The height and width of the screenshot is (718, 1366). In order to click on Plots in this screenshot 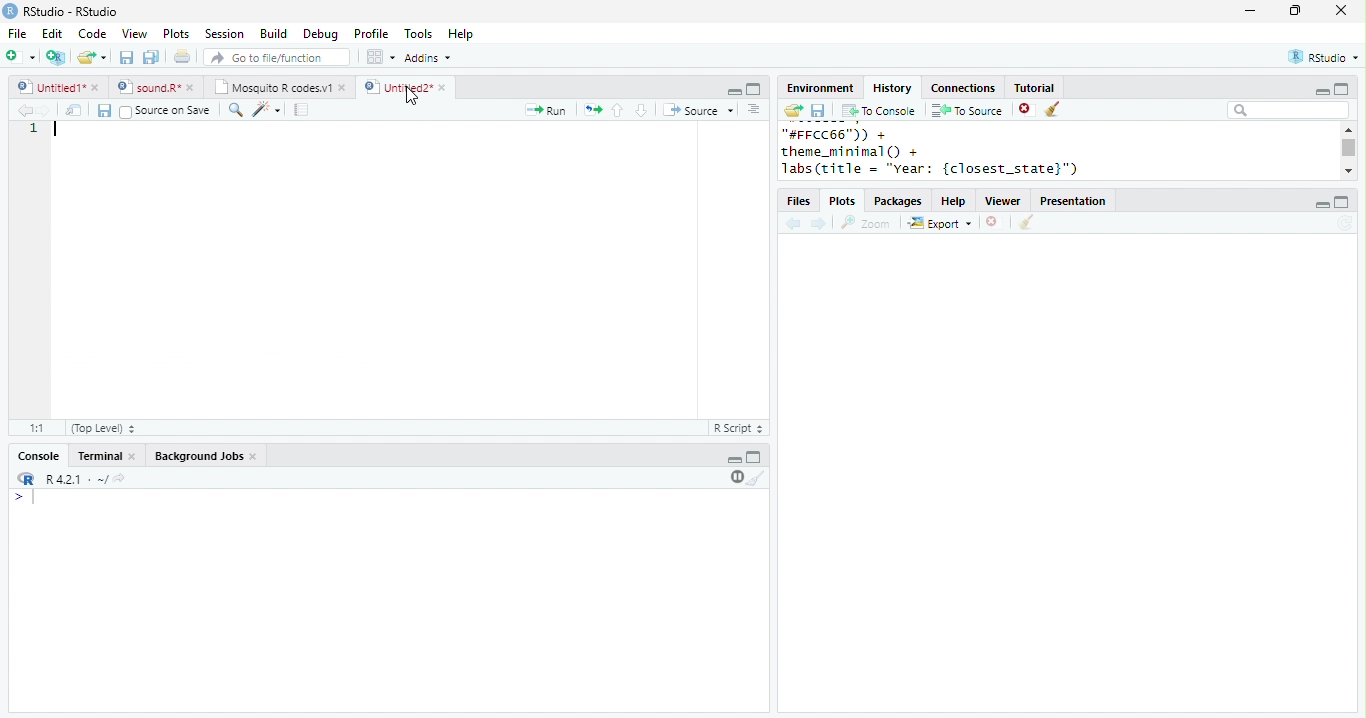, I will do `click(844, 202)`.